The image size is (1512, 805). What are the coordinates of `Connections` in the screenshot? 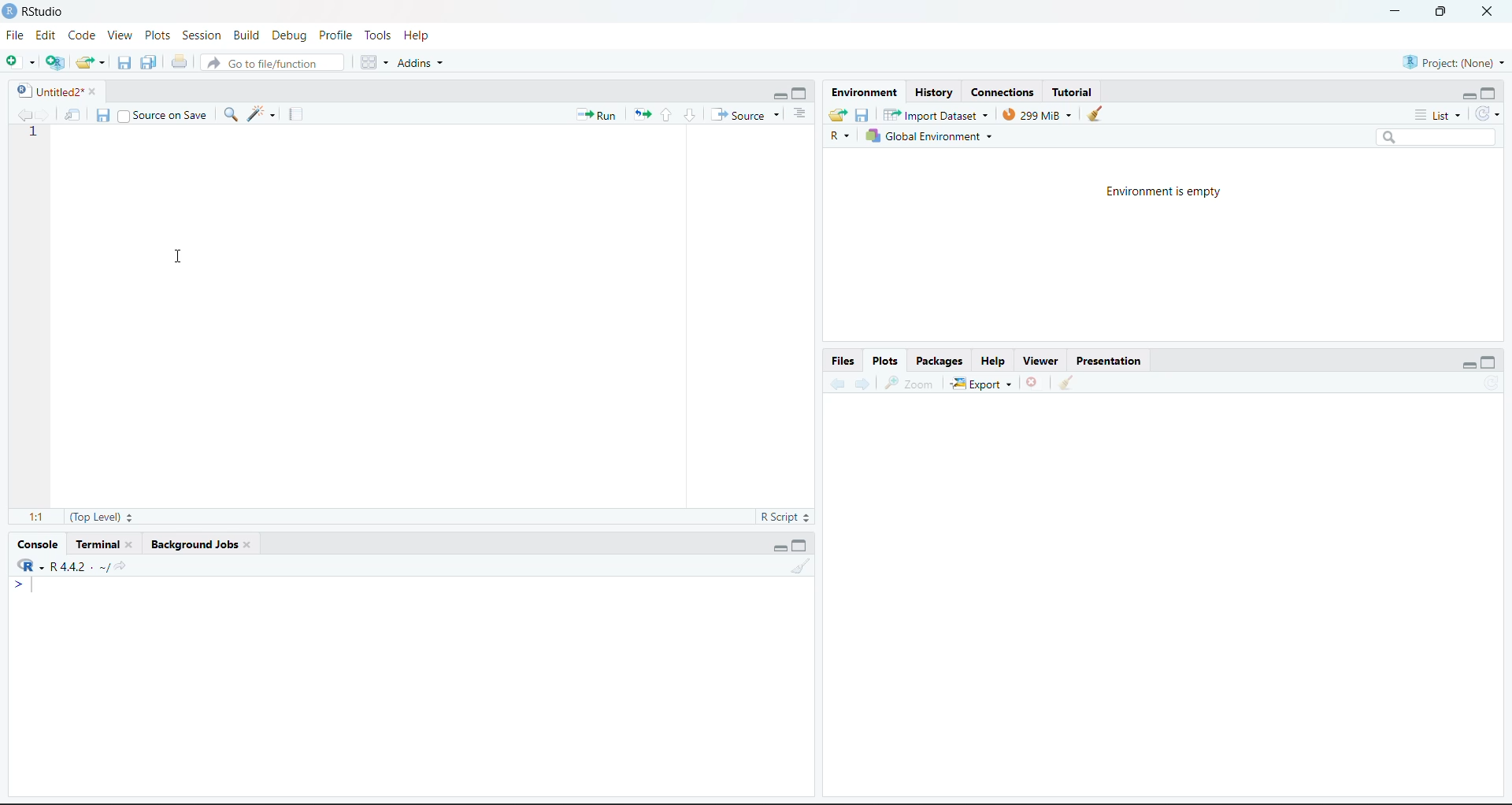 It's located at (1006, 92).